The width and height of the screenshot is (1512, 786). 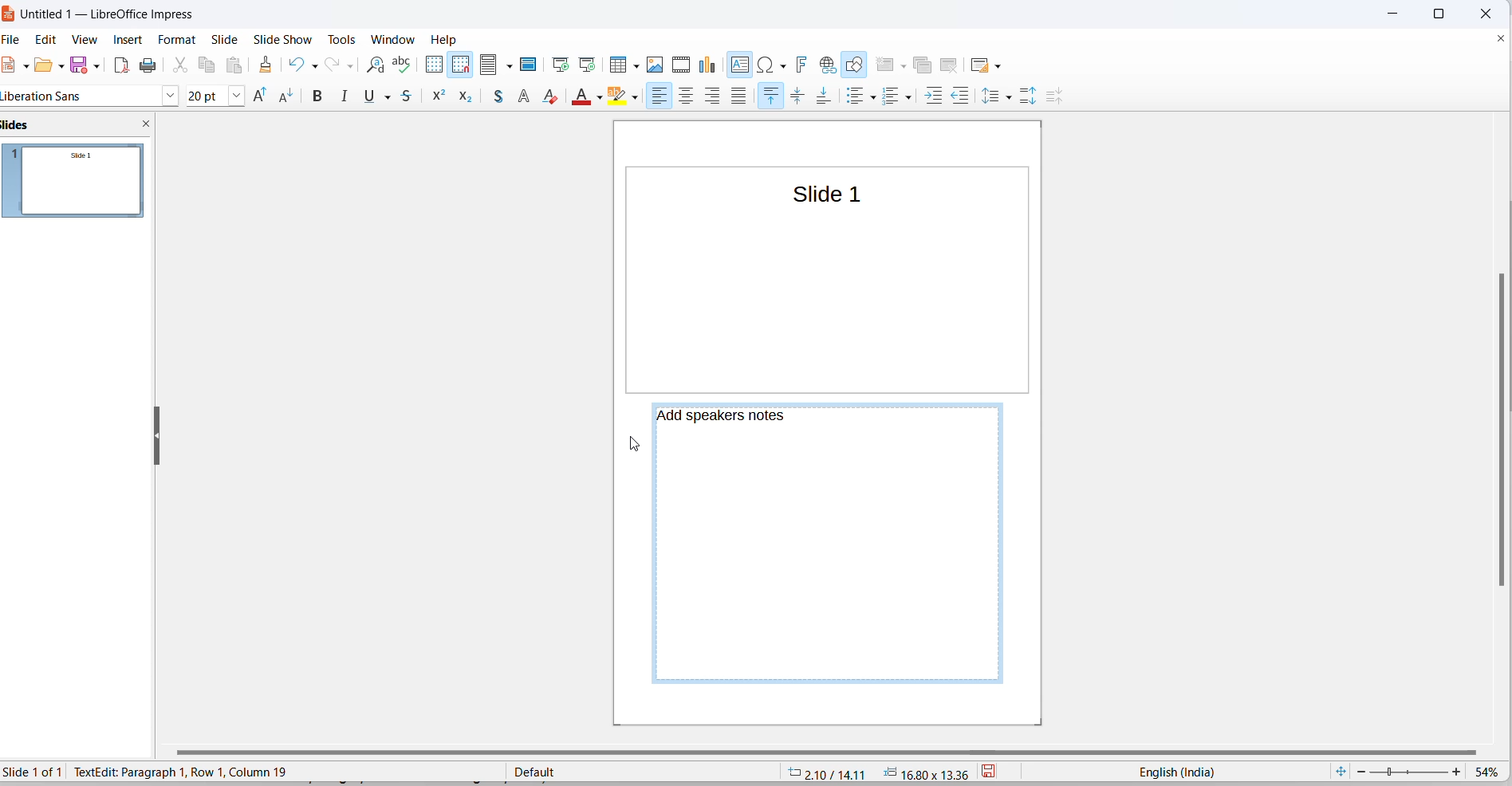 I want to click on duplicate slide, so click(x=925, y=65).